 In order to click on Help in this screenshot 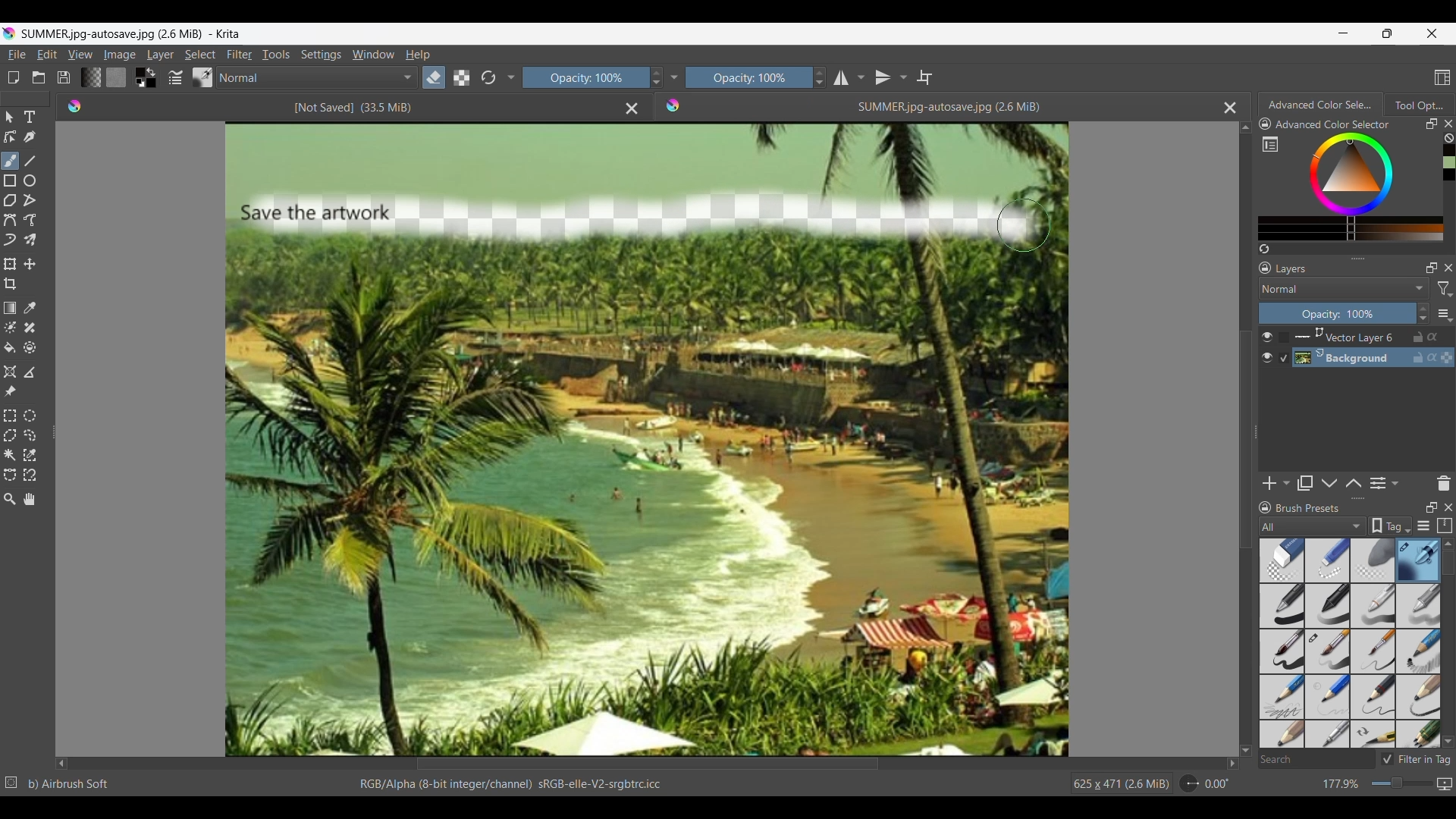, I will do `click(419, 55)`.